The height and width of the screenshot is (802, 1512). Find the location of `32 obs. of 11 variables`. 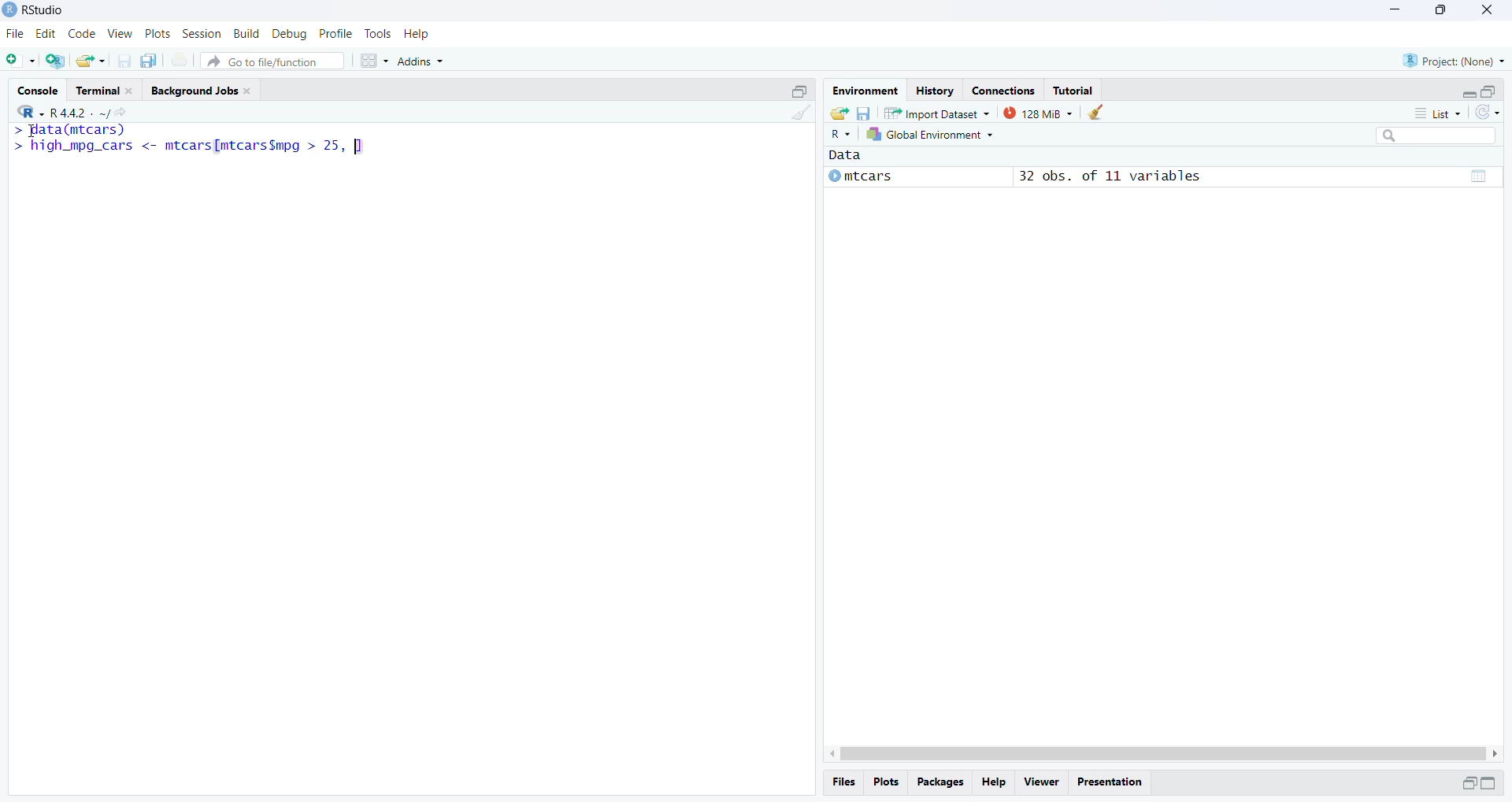

32 obs. of 11 variables is located at coordinates (1112, 176).